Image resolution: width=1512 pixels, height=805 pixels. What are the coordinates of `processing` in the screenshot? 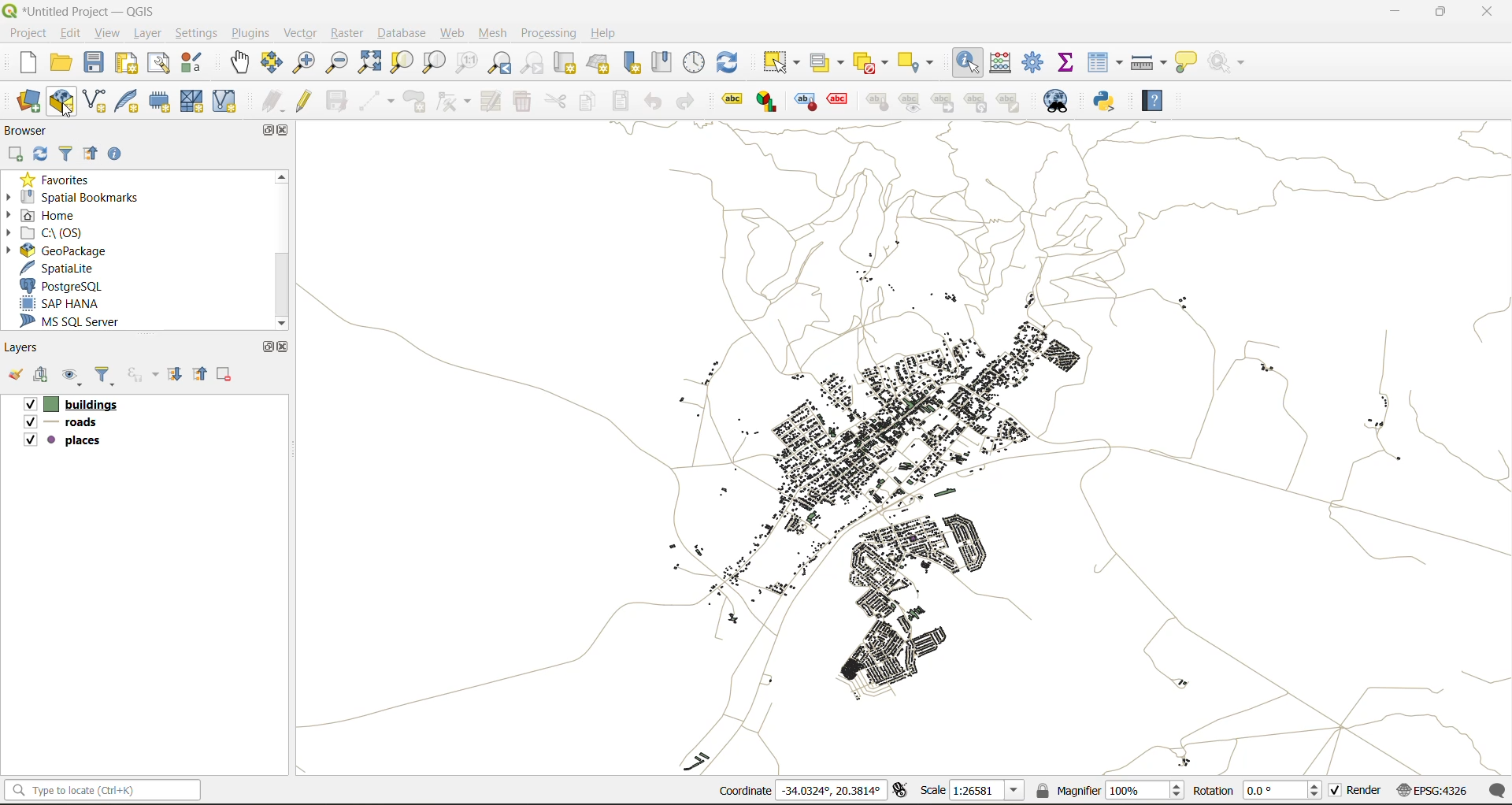 It's located at (550, 35).